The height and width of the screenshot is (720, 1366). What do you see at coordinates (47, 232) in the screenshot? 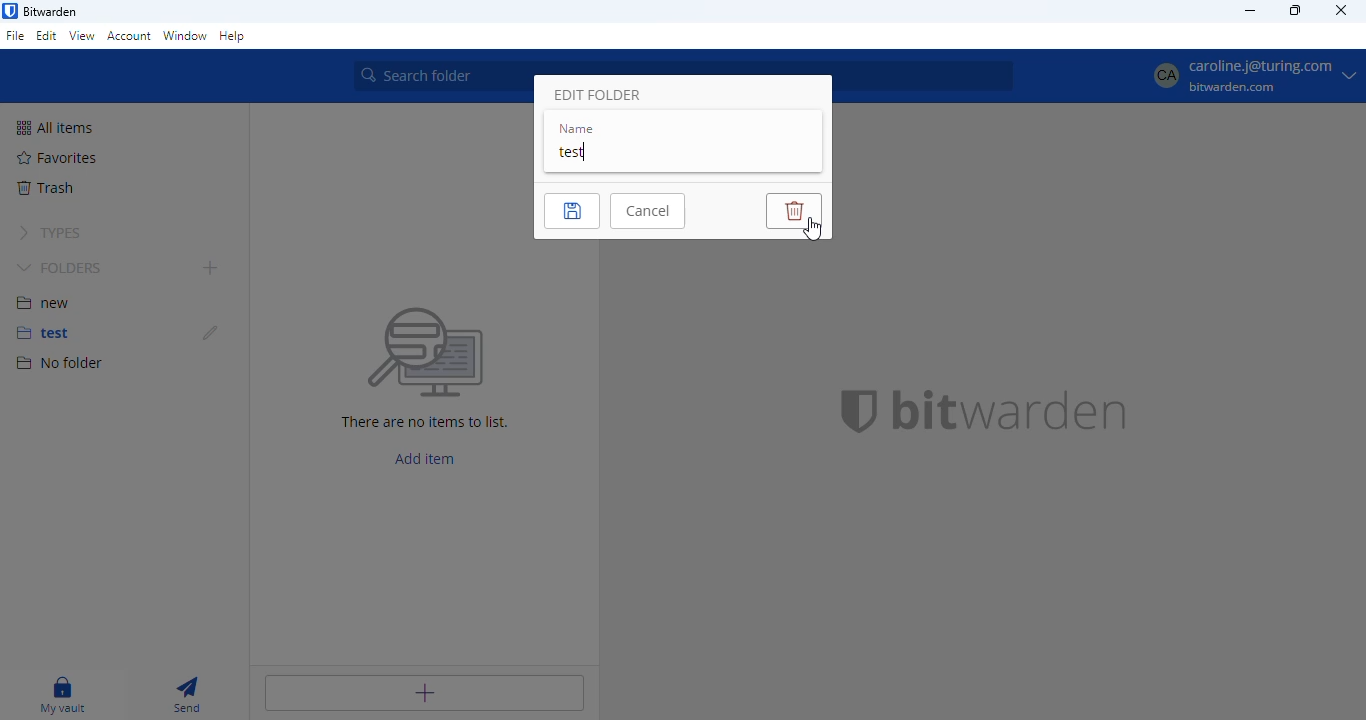
I see `types` at bounding box center [47, 232].